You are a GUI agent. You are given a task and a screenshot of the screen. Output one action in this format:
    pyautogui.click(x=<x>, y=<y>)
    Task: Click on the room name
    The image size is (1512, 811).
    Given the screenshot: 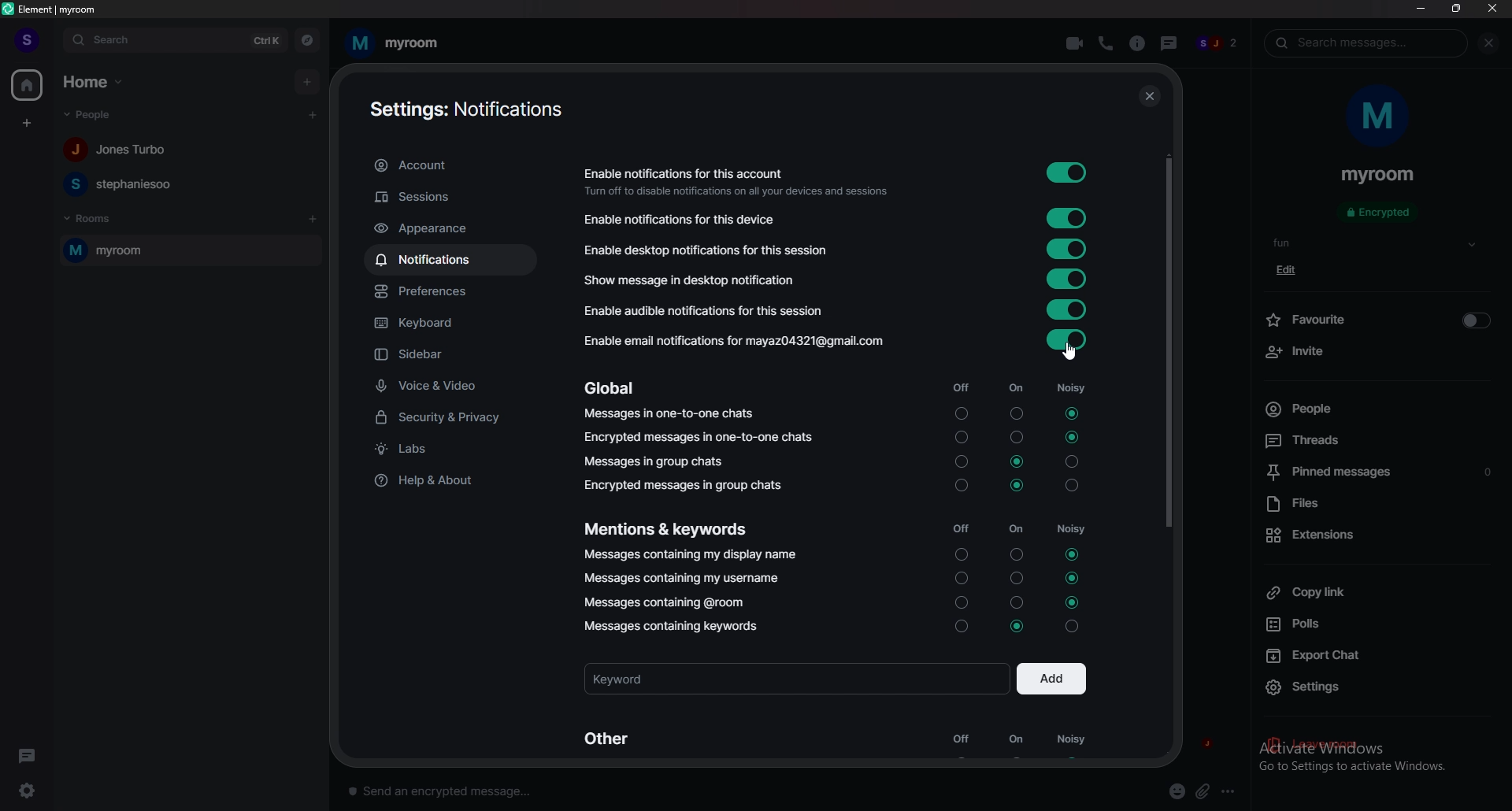 What is the action you would take?
    pyautogui.click(x=394, y=43)
    